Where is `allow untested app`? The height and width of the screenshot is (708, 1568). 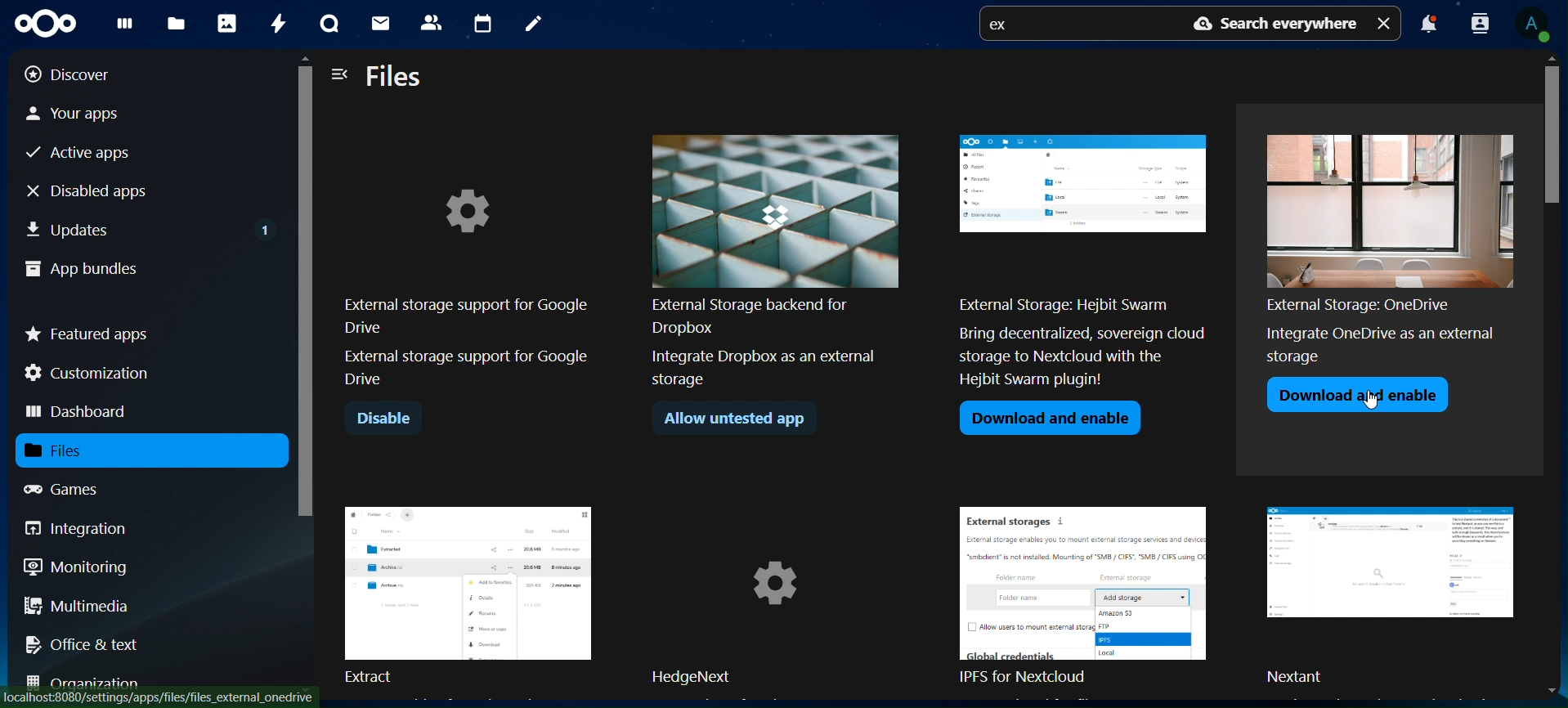
allow untested app is located at coordinates (735, 417).